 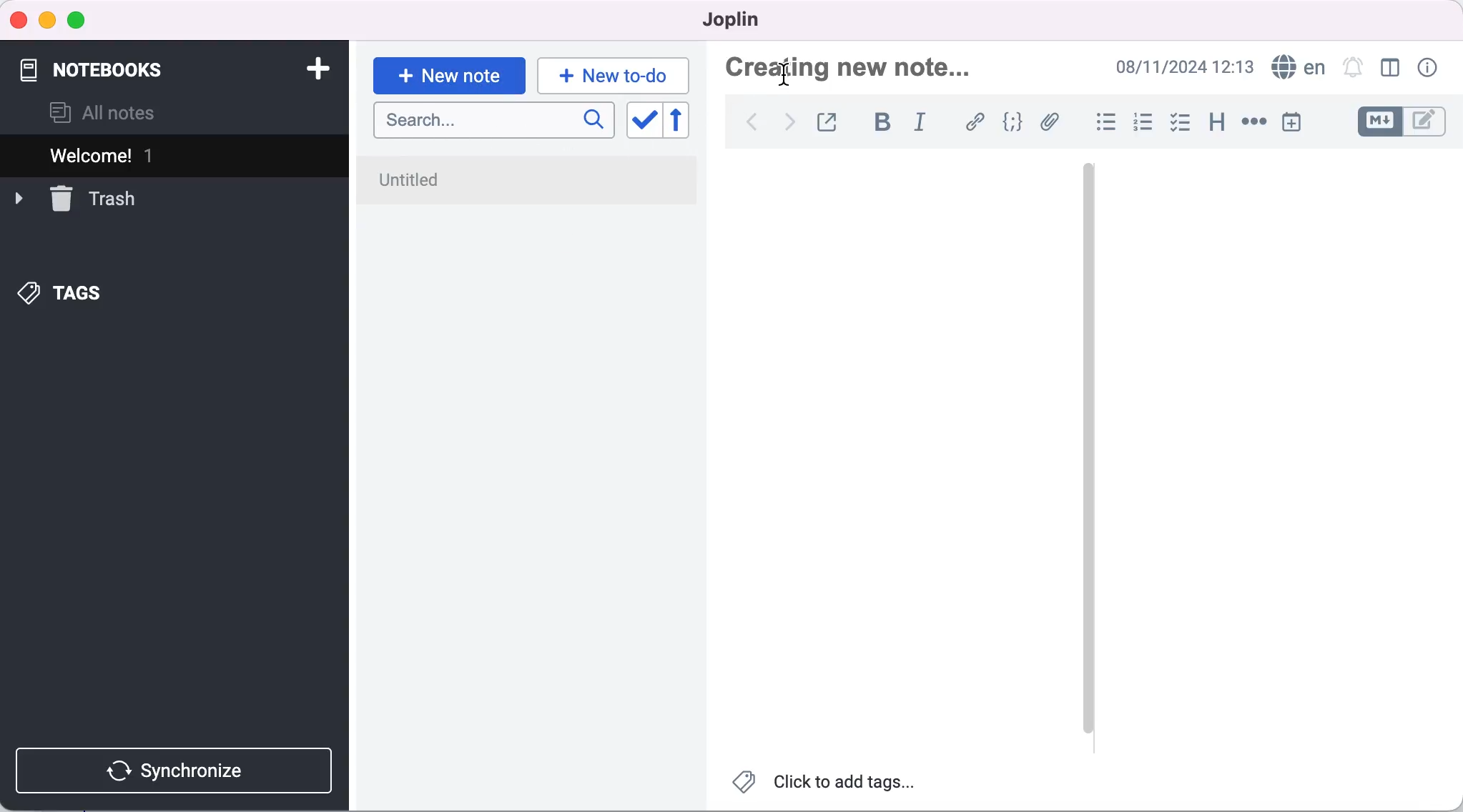 I want to click on trash, so click(x=92, y=199).